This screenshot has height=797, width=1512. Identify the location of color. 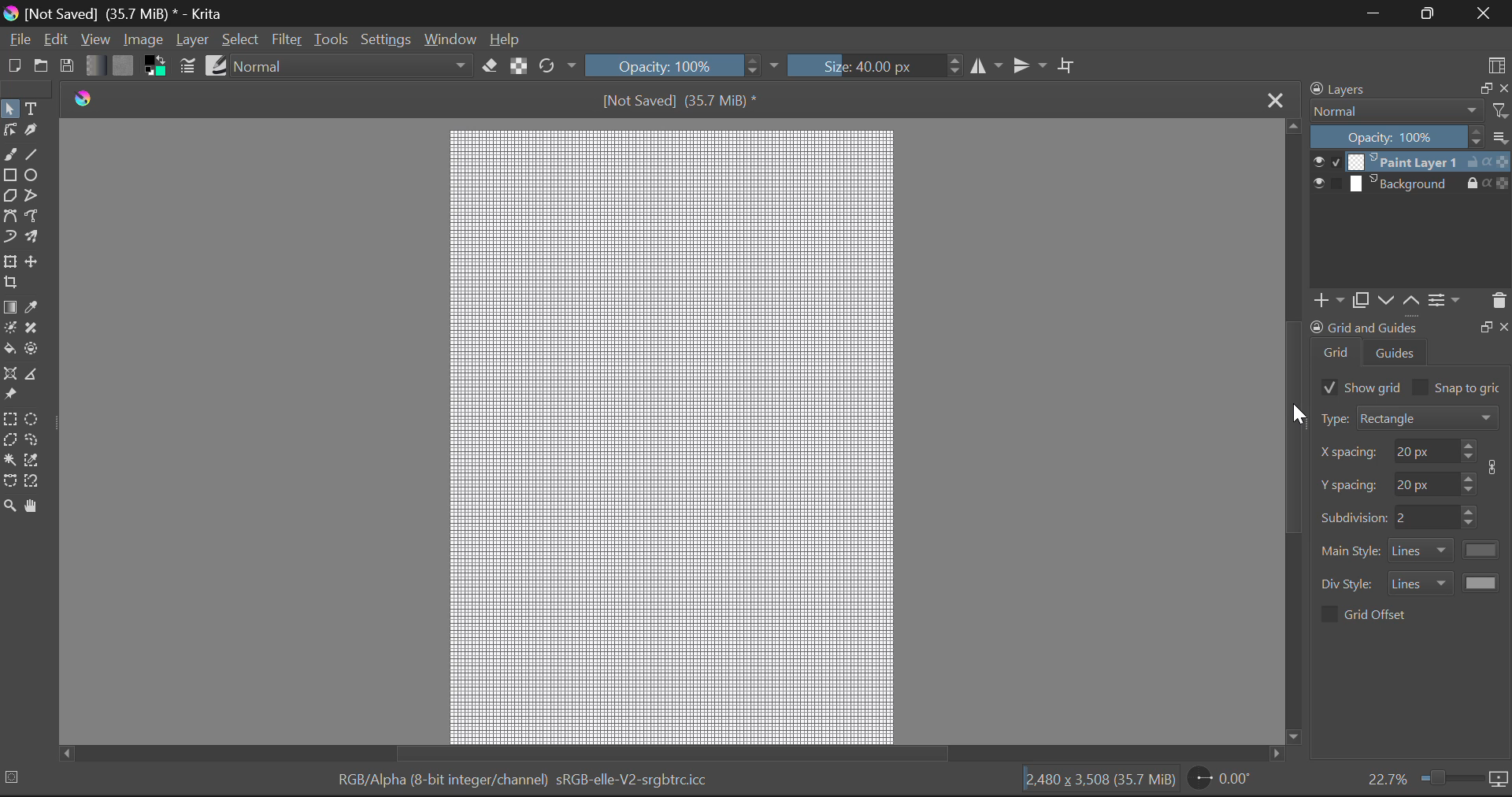
(1483, 582).